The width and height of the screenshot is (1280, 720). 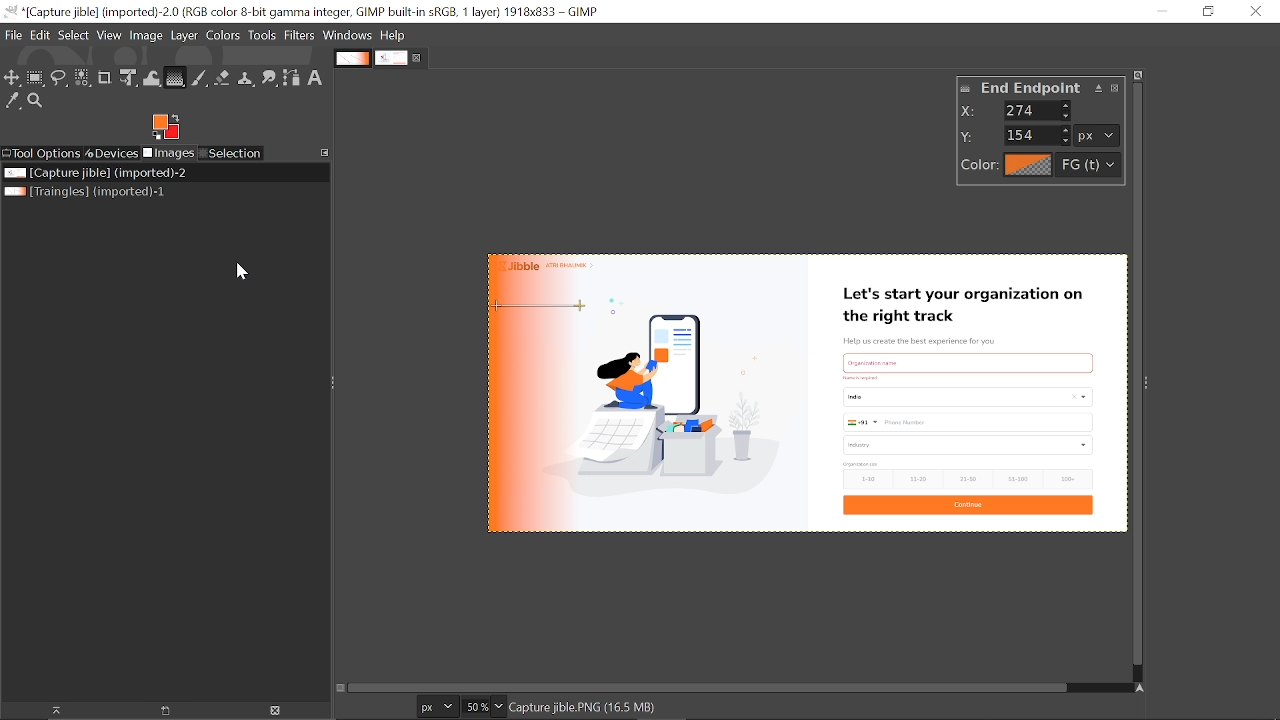 I want to click on Create a new display for the image, so click(x=159, y=711).